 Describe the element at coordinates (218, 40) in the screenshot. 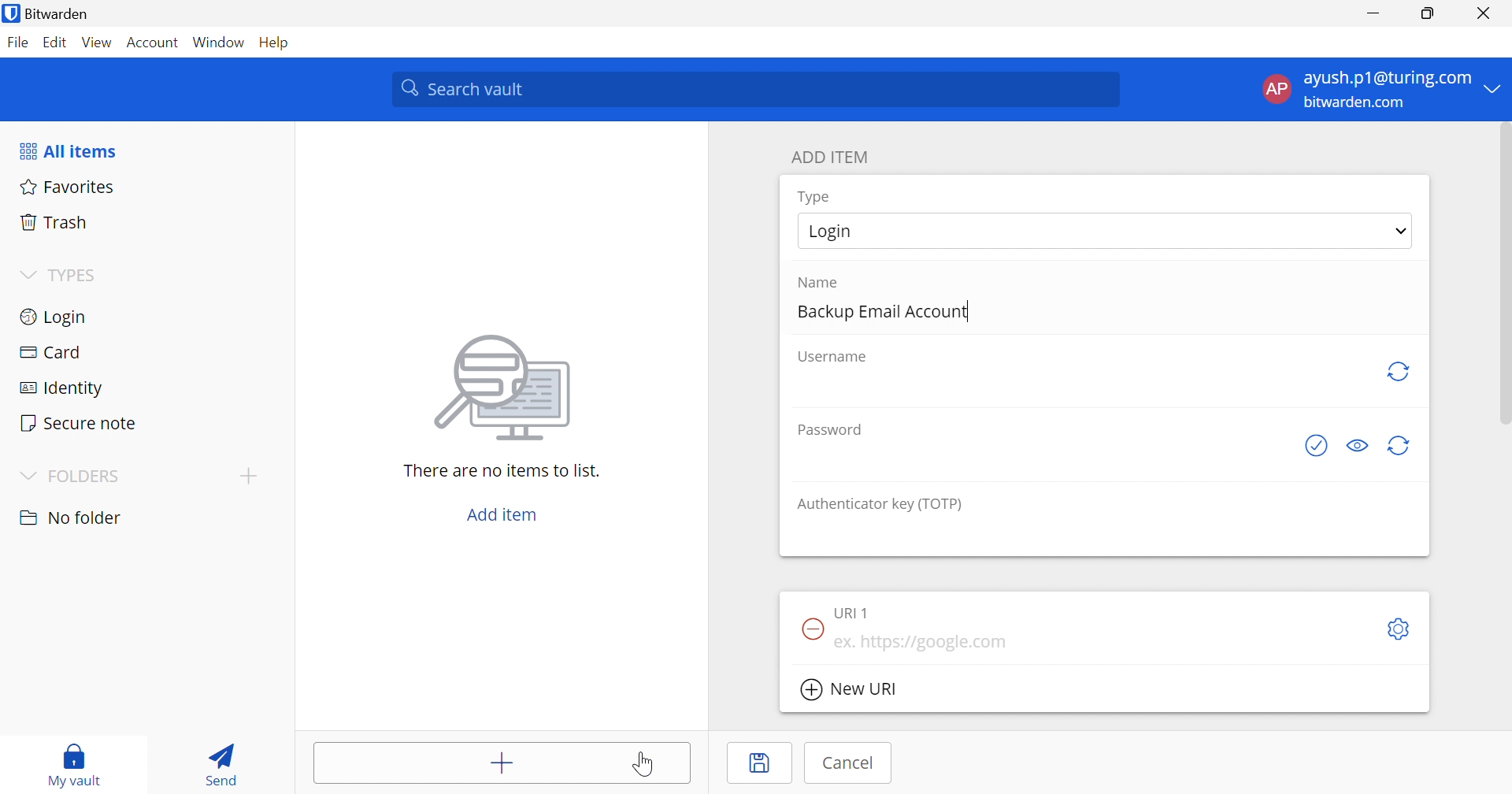

I see `Window` at that location.